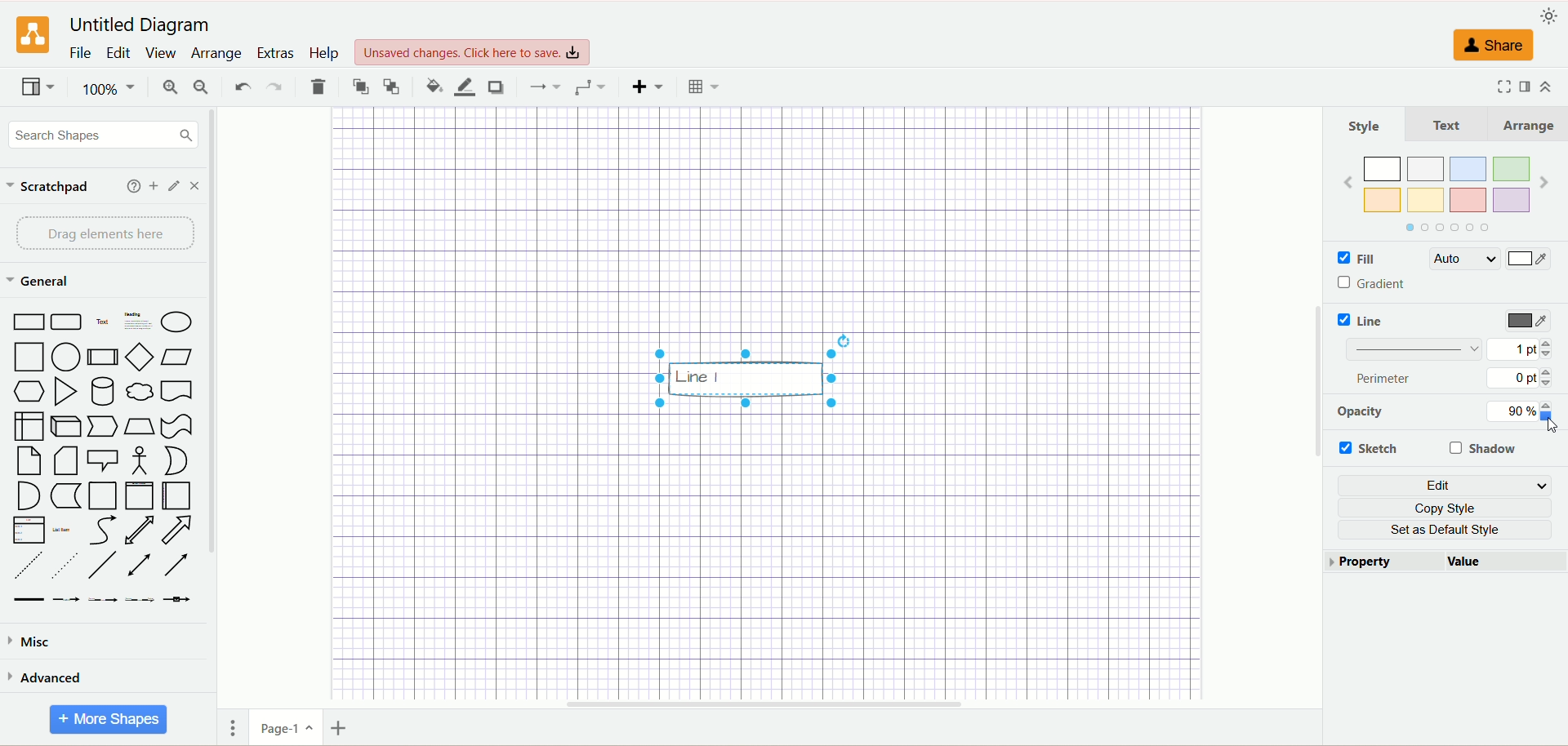 This screenshot has height=746, width=1568. What do you see at coordinates (1418, 350) in the screenshot?
I see `Linebar` at bounding box center [1418, 350].